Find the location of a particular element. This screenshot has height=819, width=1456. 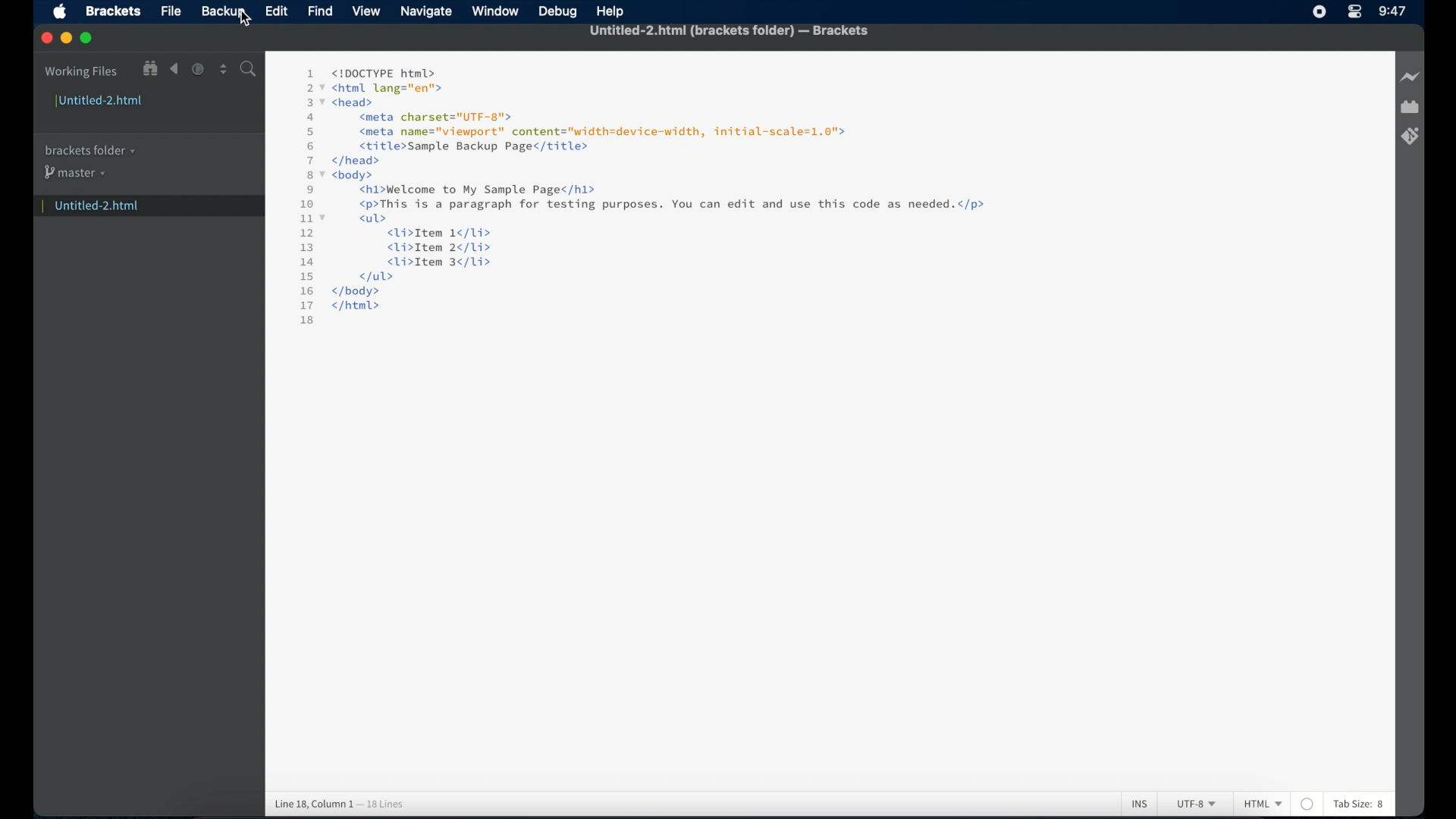

tab size: 8 is located at coordinates (1360, 804).